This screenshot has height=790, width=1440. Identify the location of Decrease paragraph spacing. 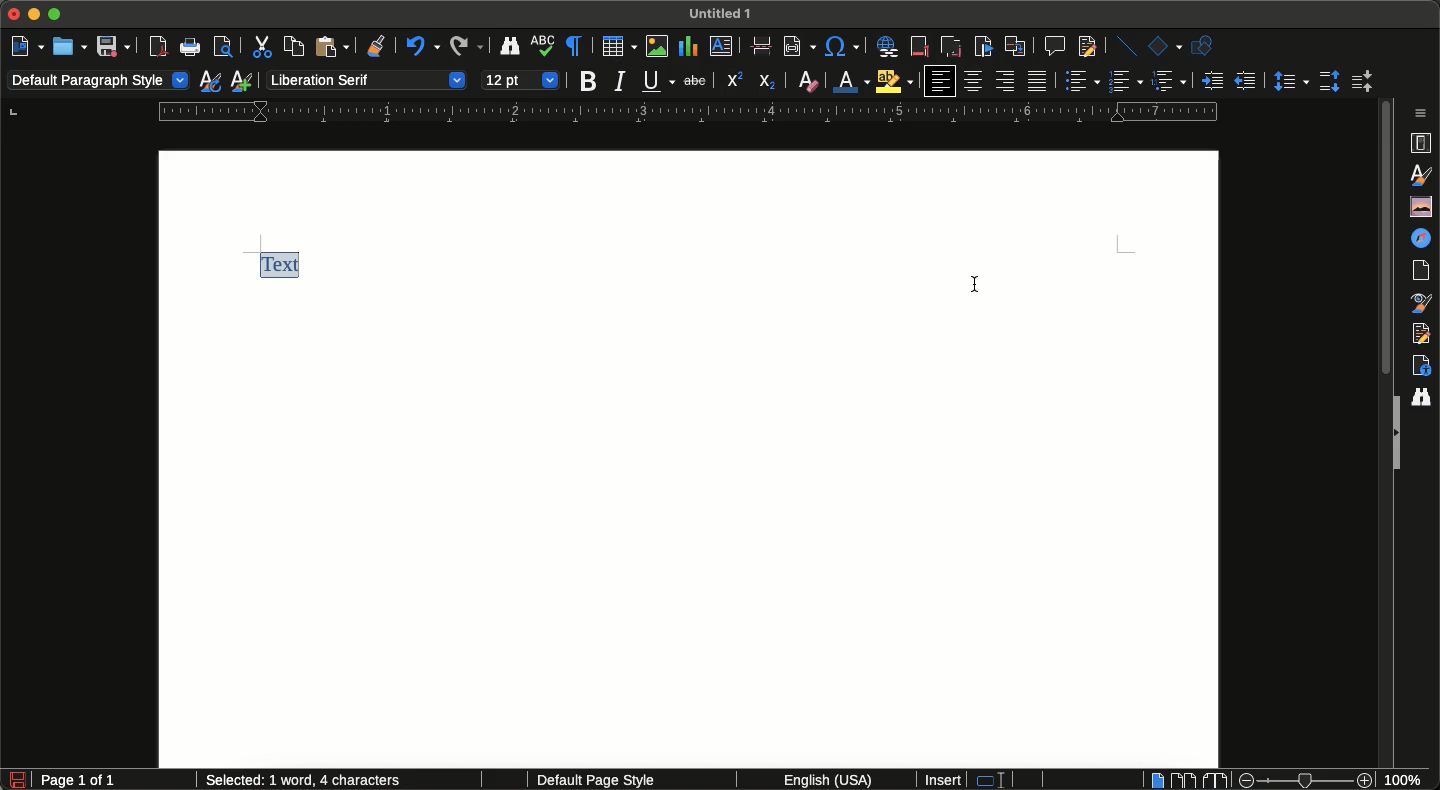
(1360, 83).